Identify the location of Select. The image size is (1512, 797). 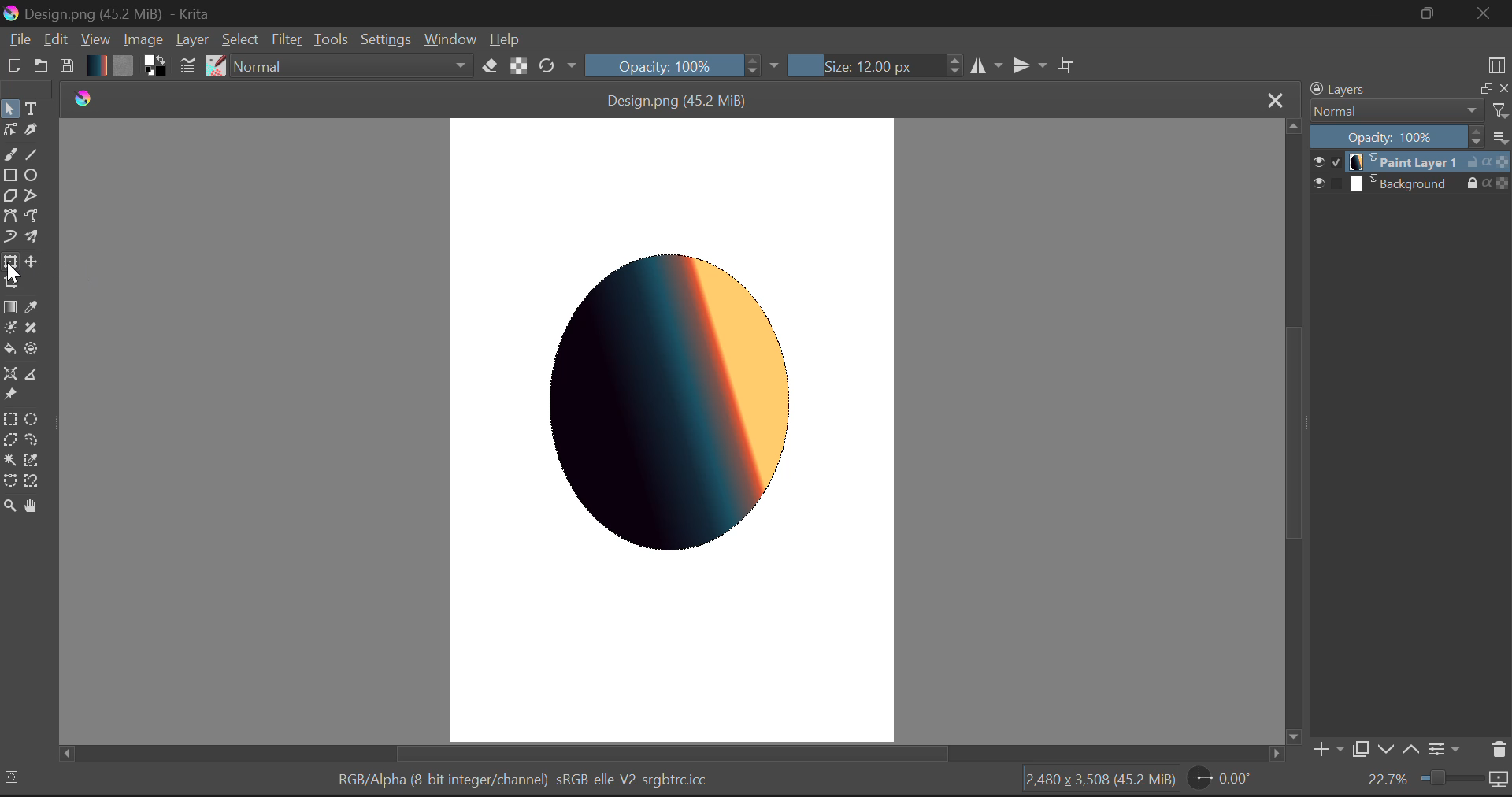
(9, 108).